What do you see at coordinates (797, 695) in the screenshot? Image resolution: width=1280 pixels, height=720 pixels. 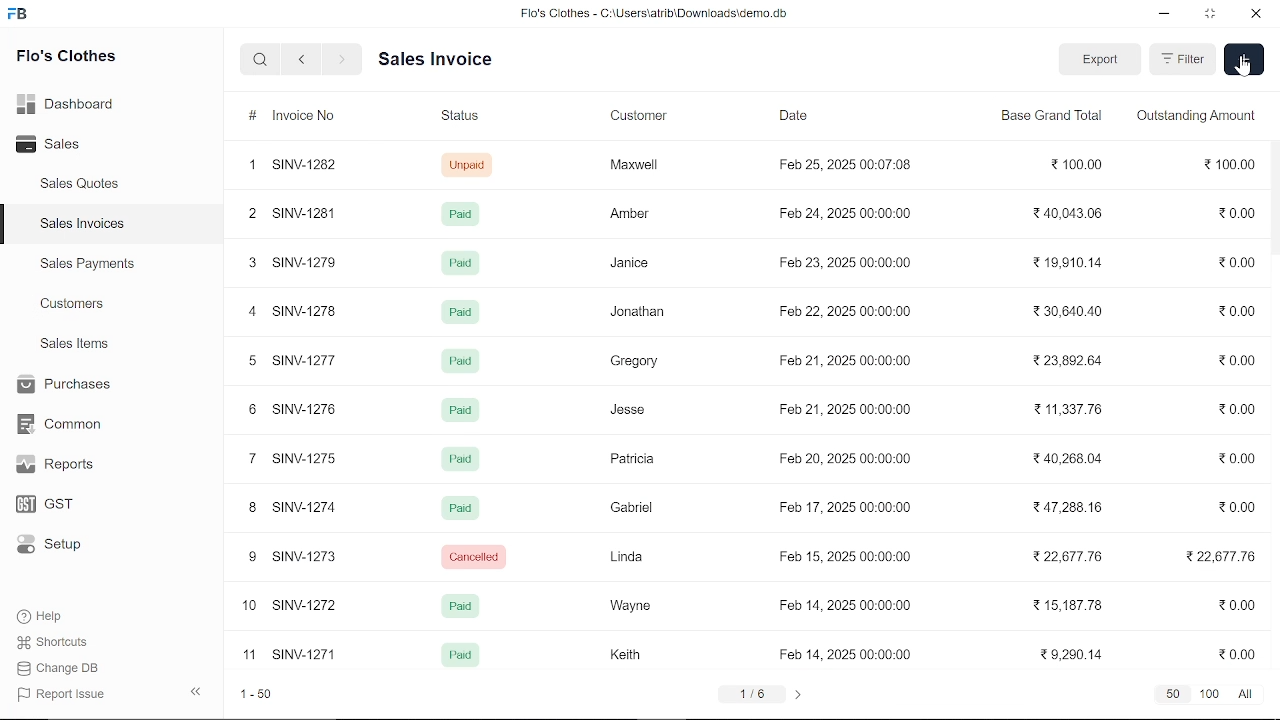 I see `next page` at bounding box center [797, 695].